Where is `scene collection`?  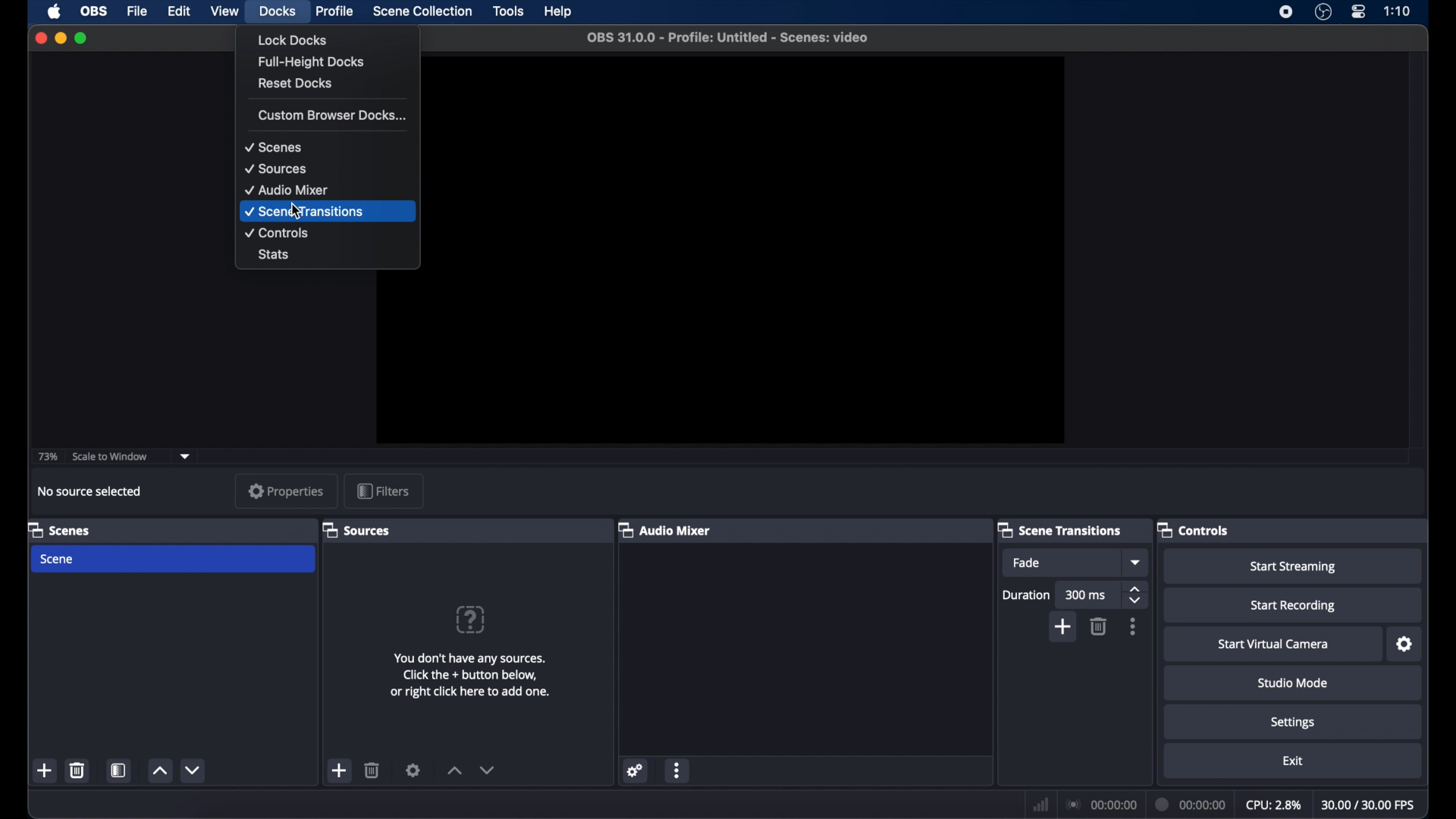
scene collection is located at coordinates (422, 11).